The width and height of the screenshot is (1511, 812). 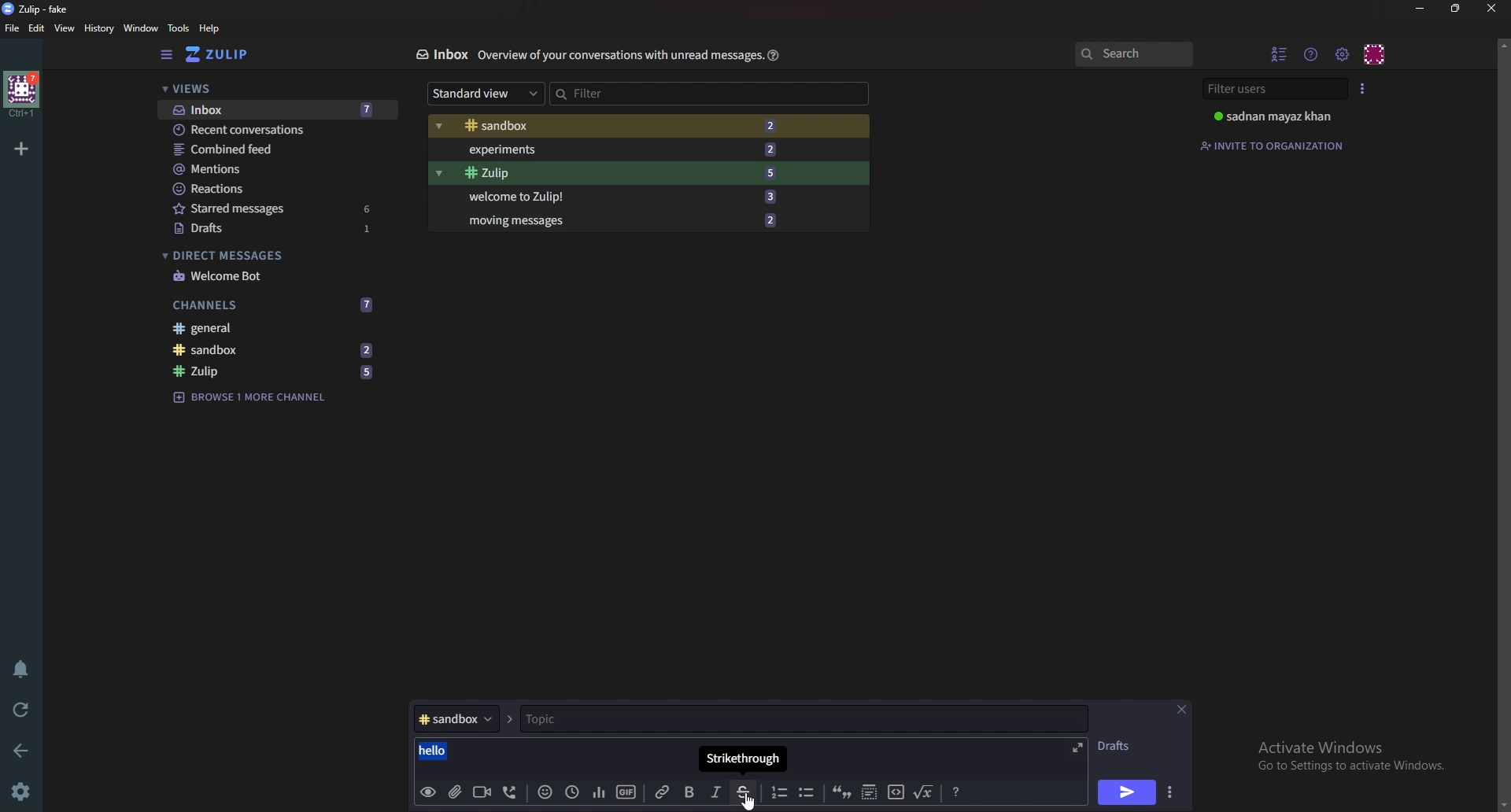 What do you see at coordinates (1420, 8) in the screenshot?
I see `Minimize` at bounding box center [1420, 8].